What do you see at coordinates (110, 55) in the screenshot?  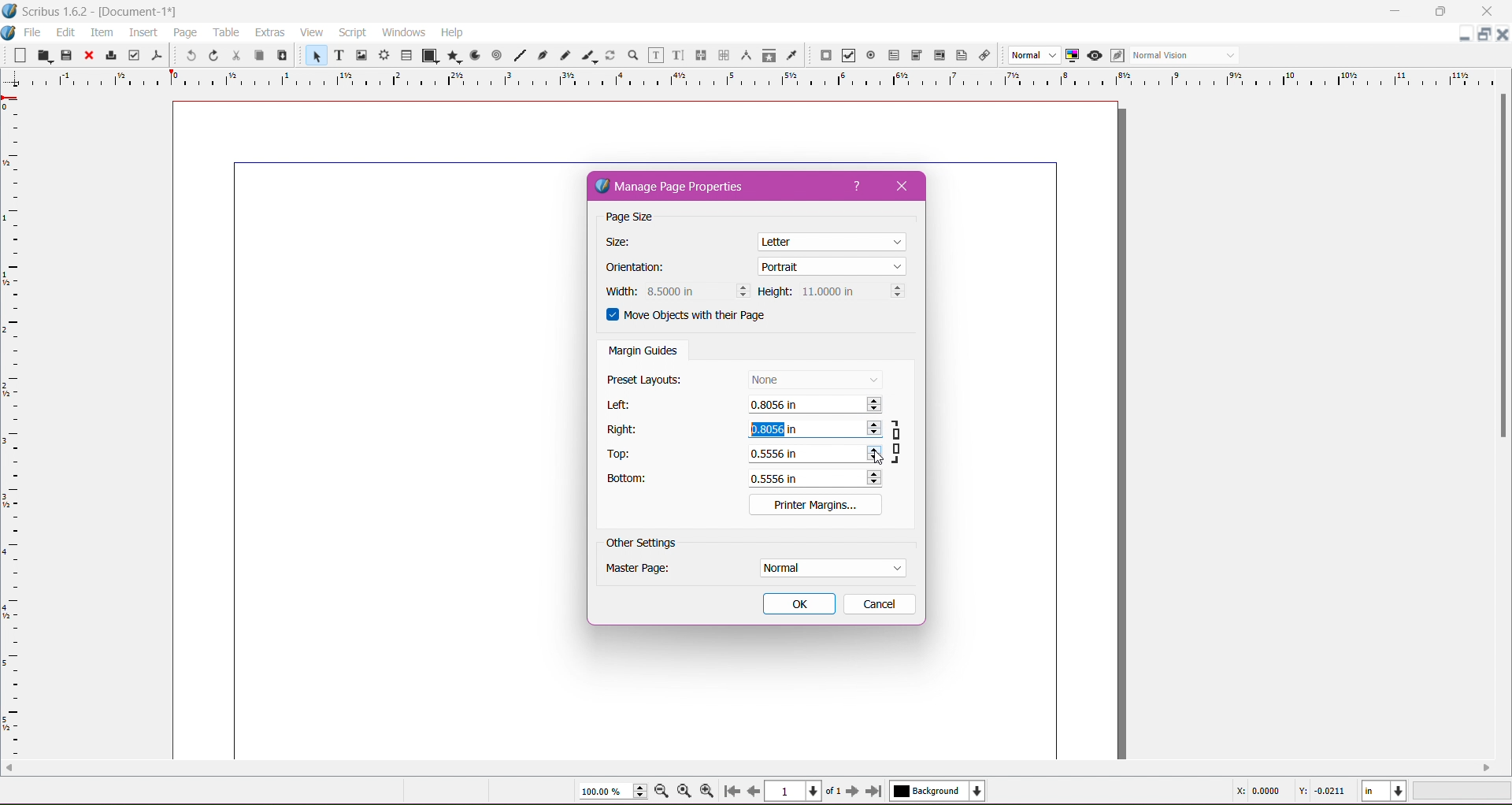 I see `Print` at bounding box center [110, 55].